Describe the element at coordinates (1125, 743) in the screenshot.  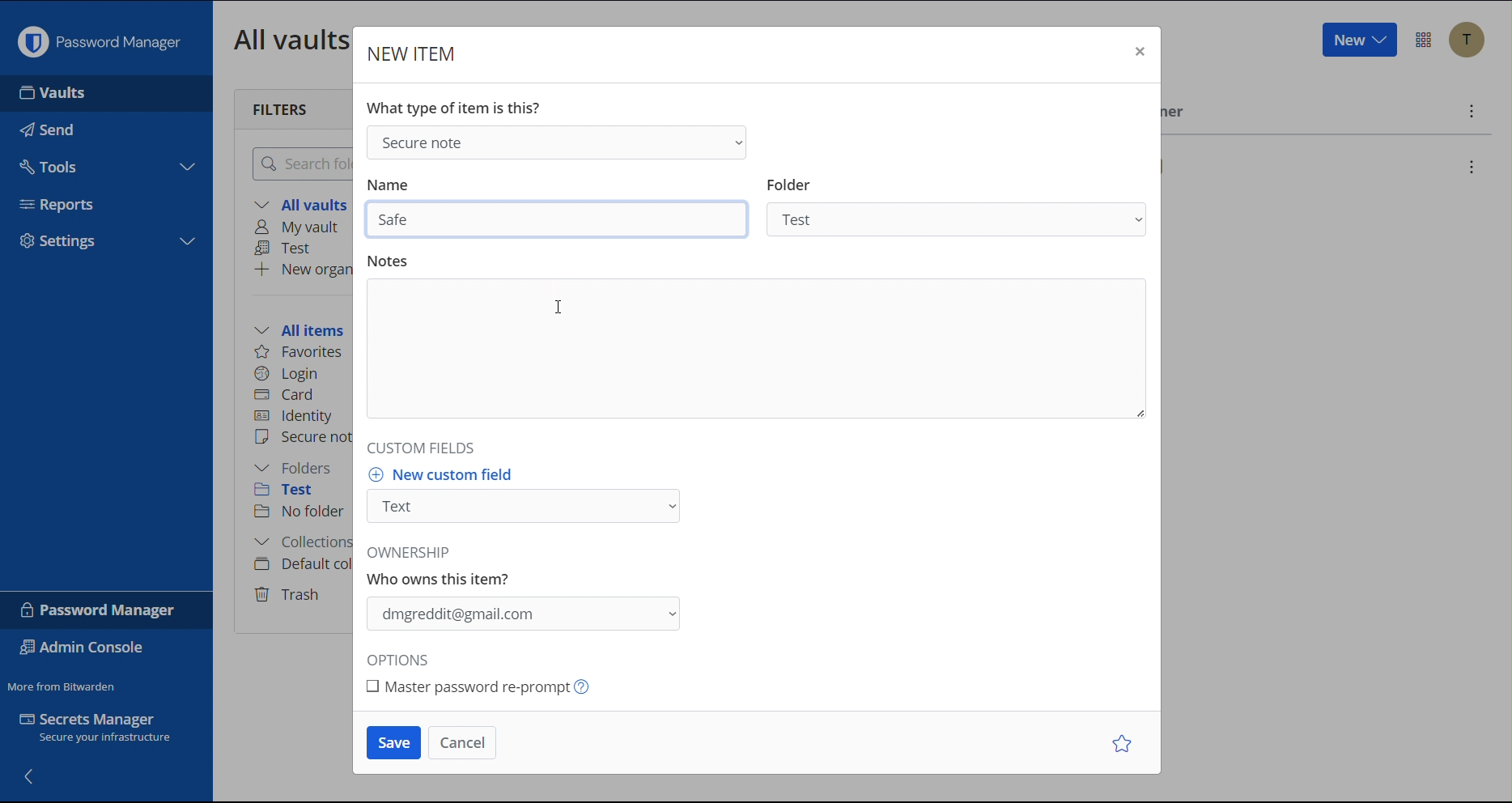
I see `Star` at that location.